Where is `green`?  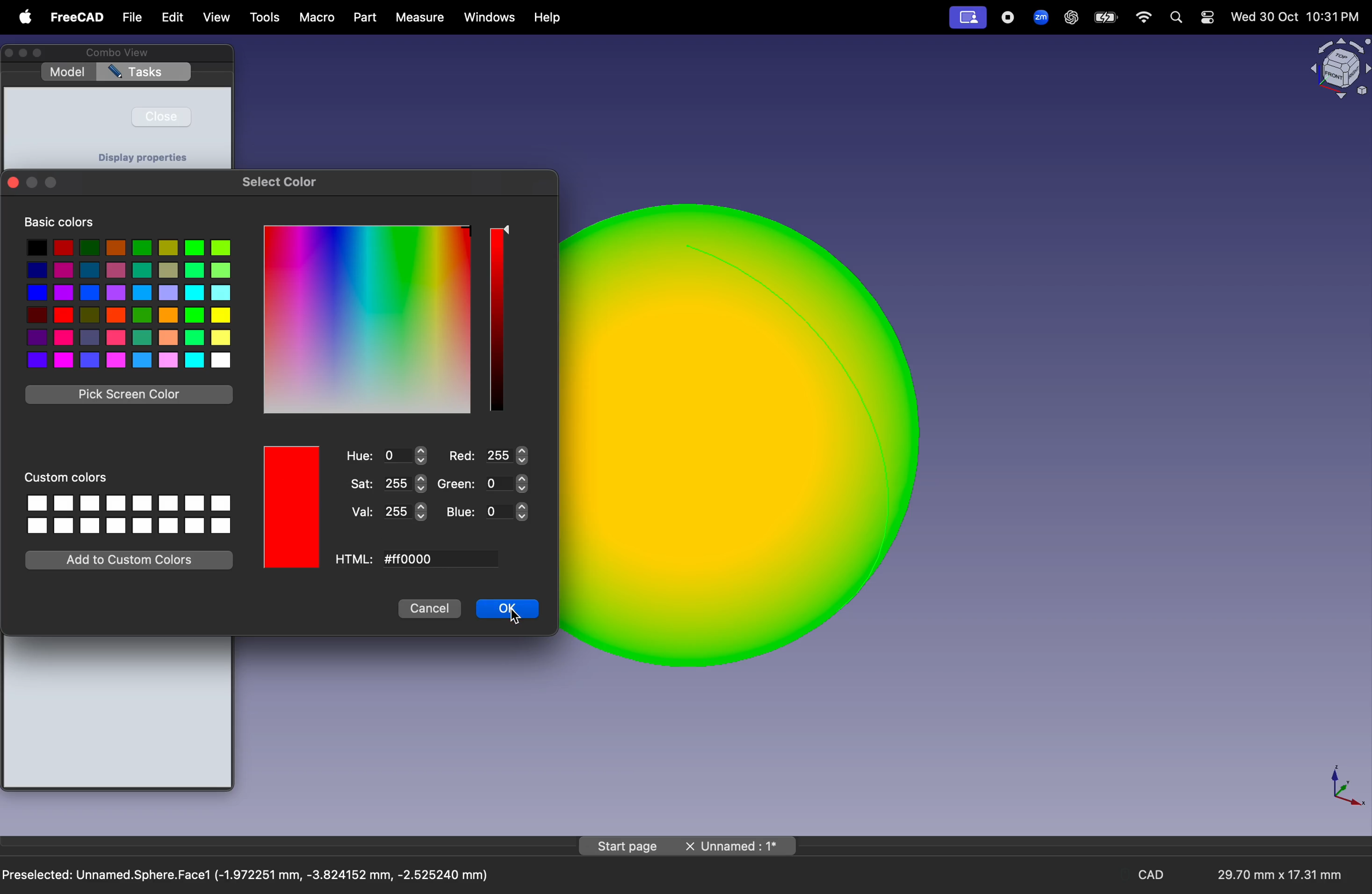
green is located at coordinates (482, 484).